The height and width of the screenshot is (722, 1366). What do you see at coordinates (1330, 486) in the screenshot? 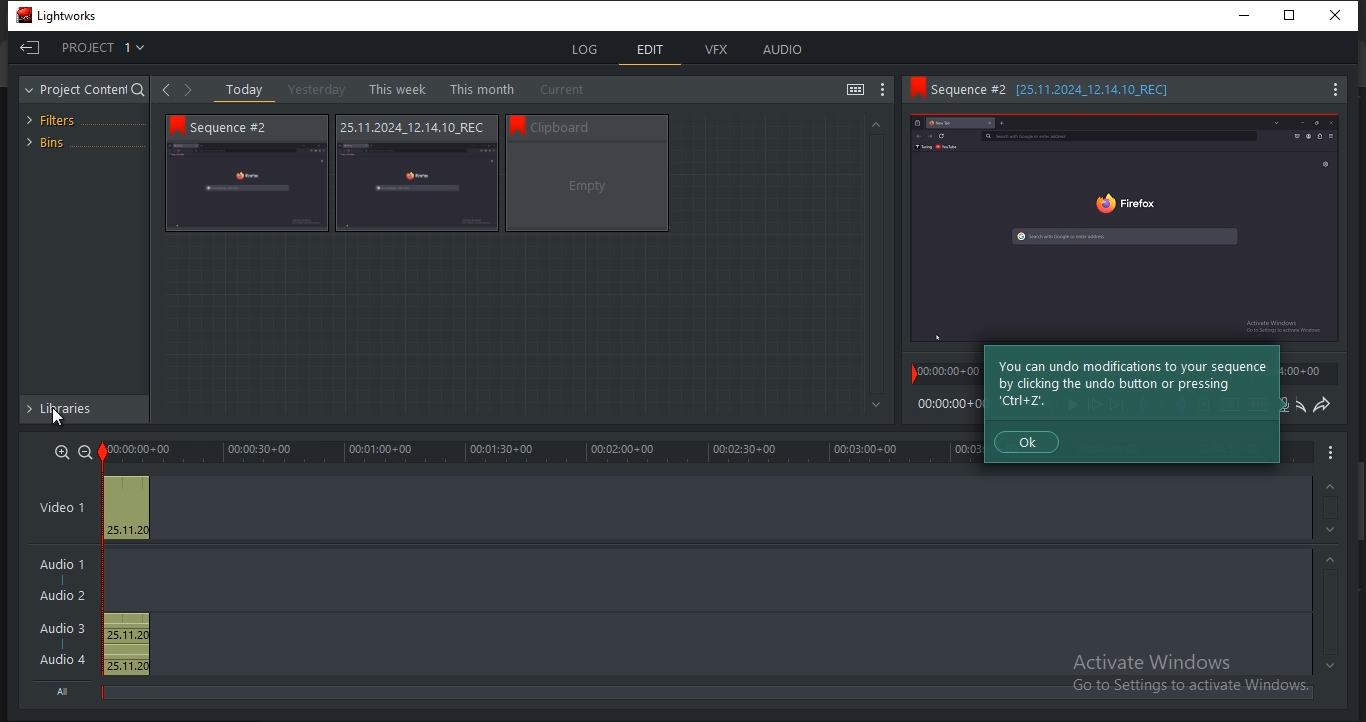
I see `timeline navigation up arrow` at bounding box center [1330, 486].